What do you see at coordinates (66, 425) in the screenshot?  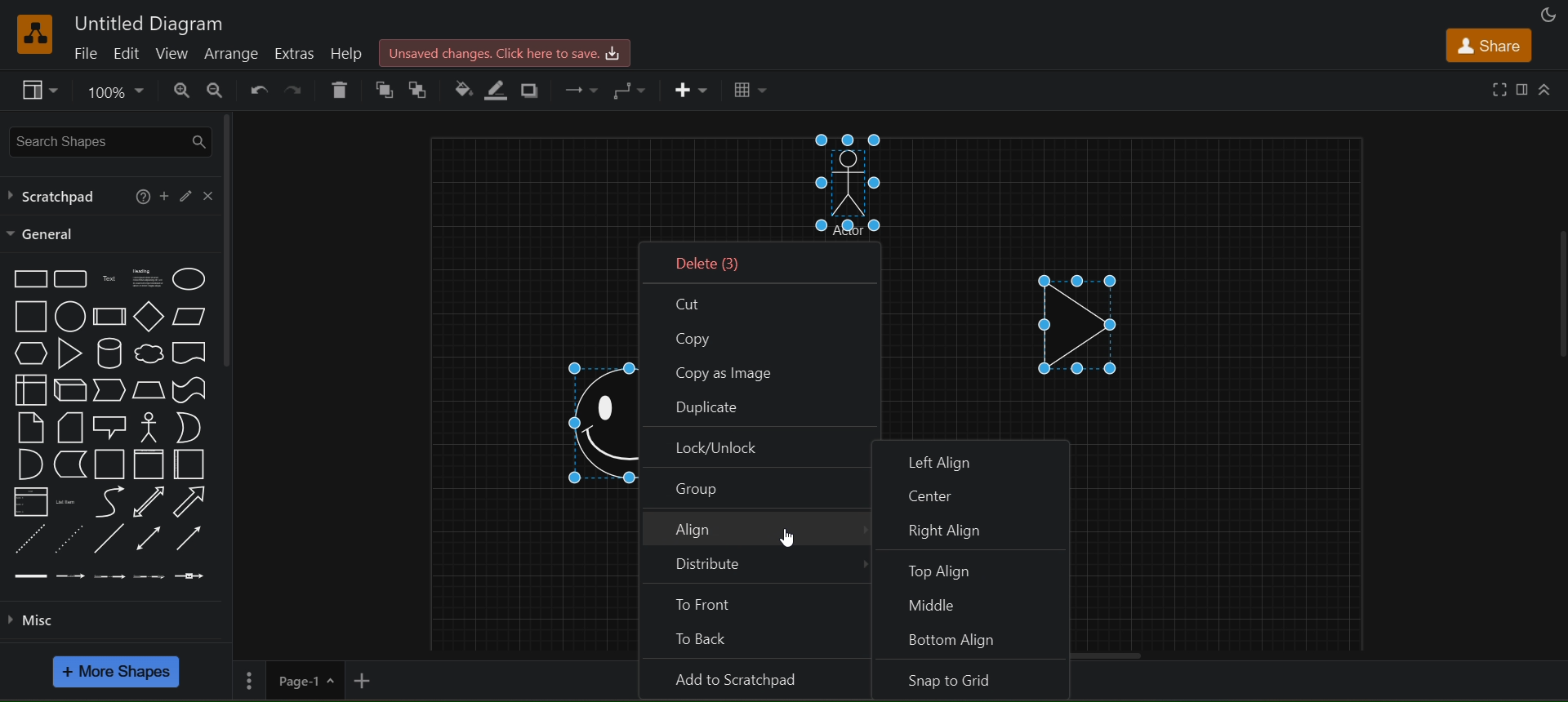 I see `card` at bounding box center [66, 425].